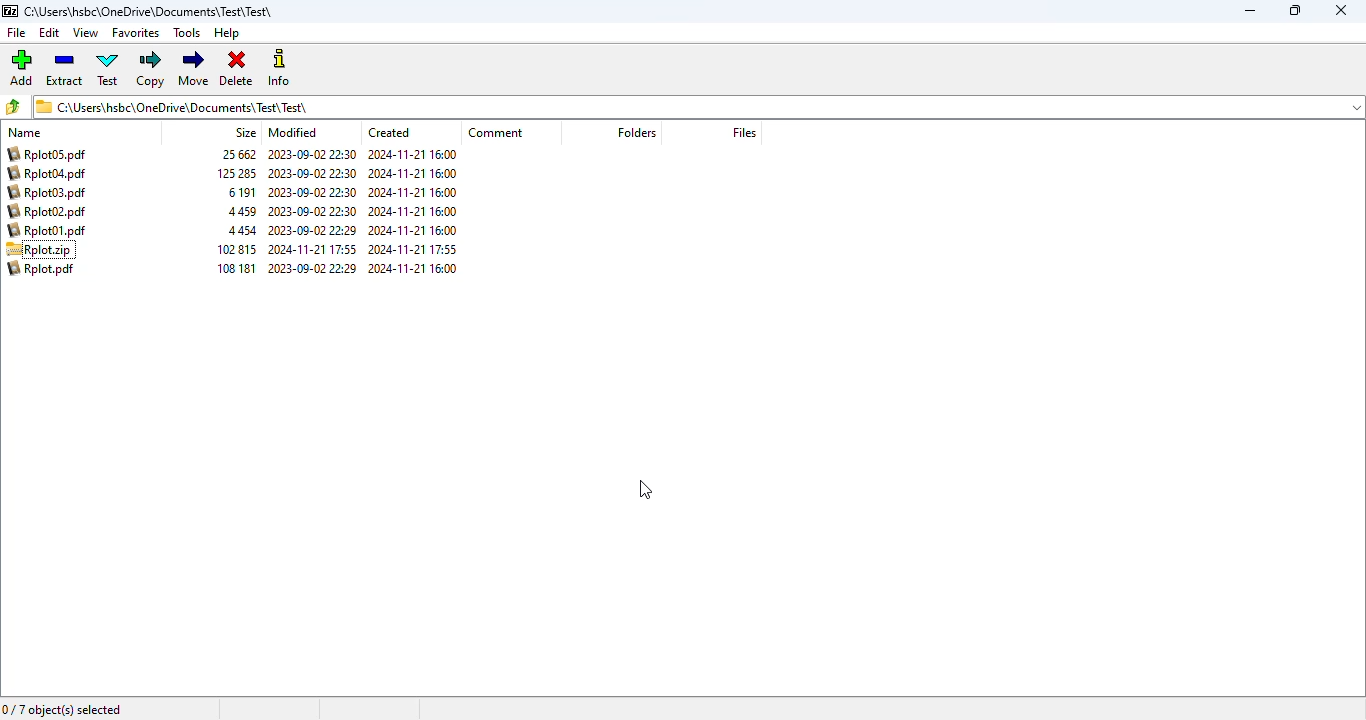 The image size is (1366, 720). Describe the element at coordinates (241, 232) in the screenshot. I see `4 454` at that location.